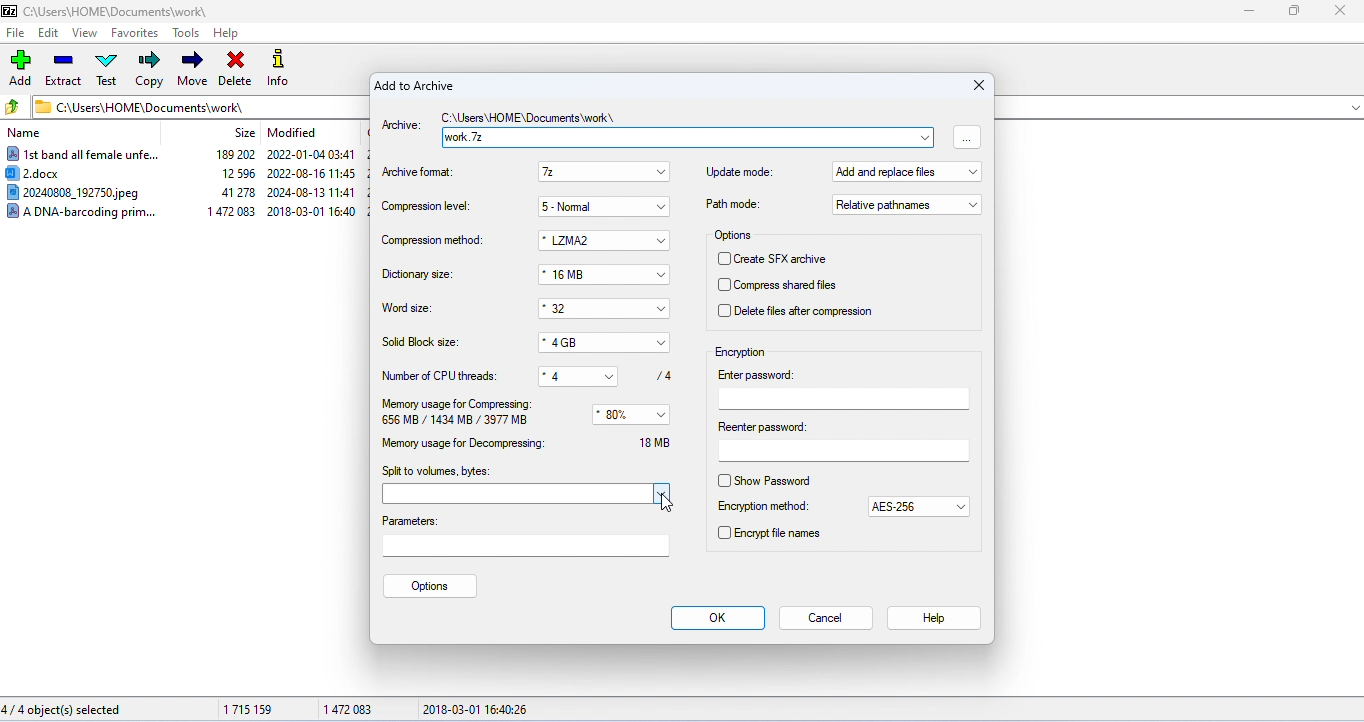 This screenshot has width=1364, height=722. Describe the element at coordinates (442, 375) in the screenshot. I see `number of CPU threads` at that location.